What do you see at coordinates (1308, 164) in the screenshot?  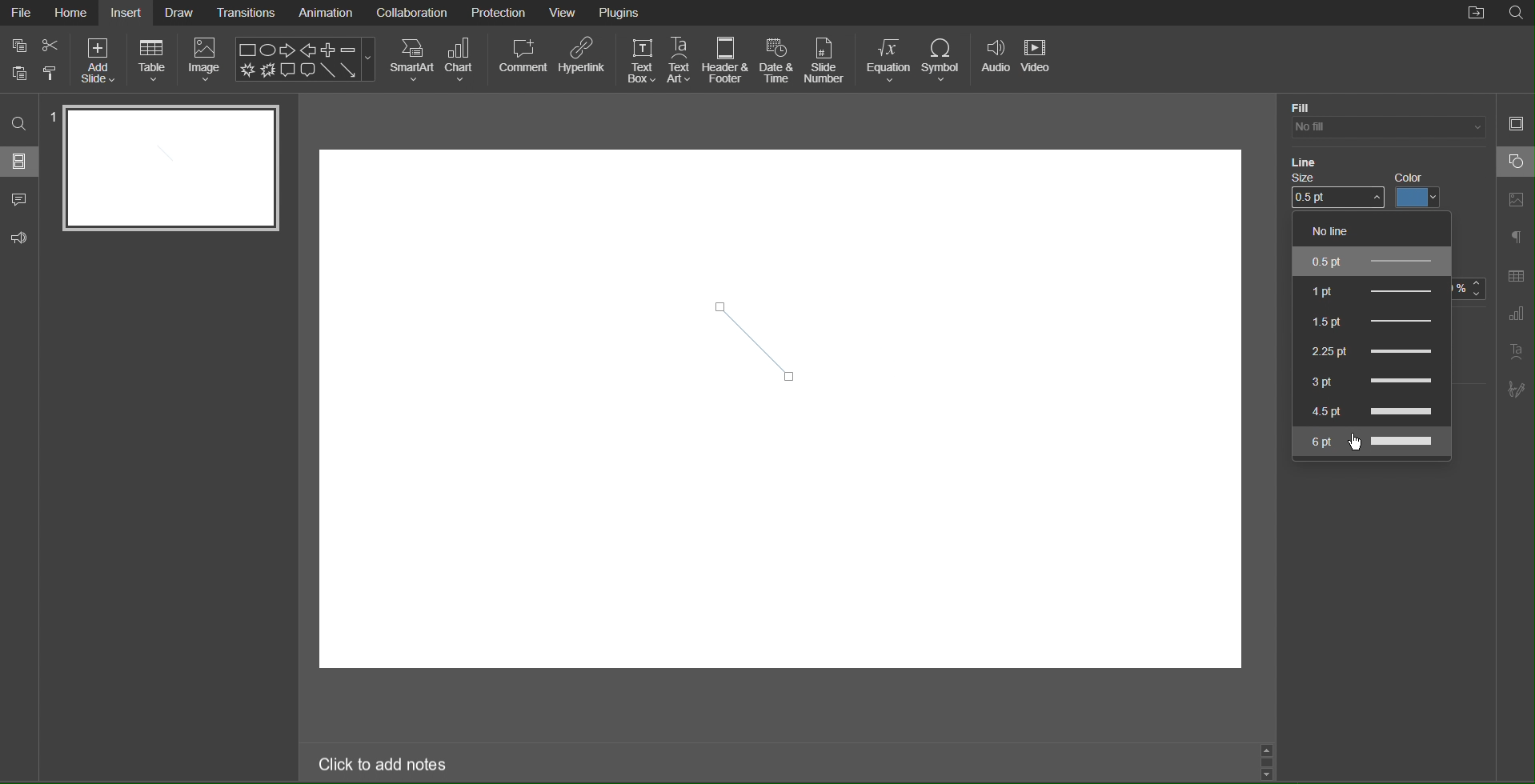 I see `Line` at bounding box center [1308, 164].